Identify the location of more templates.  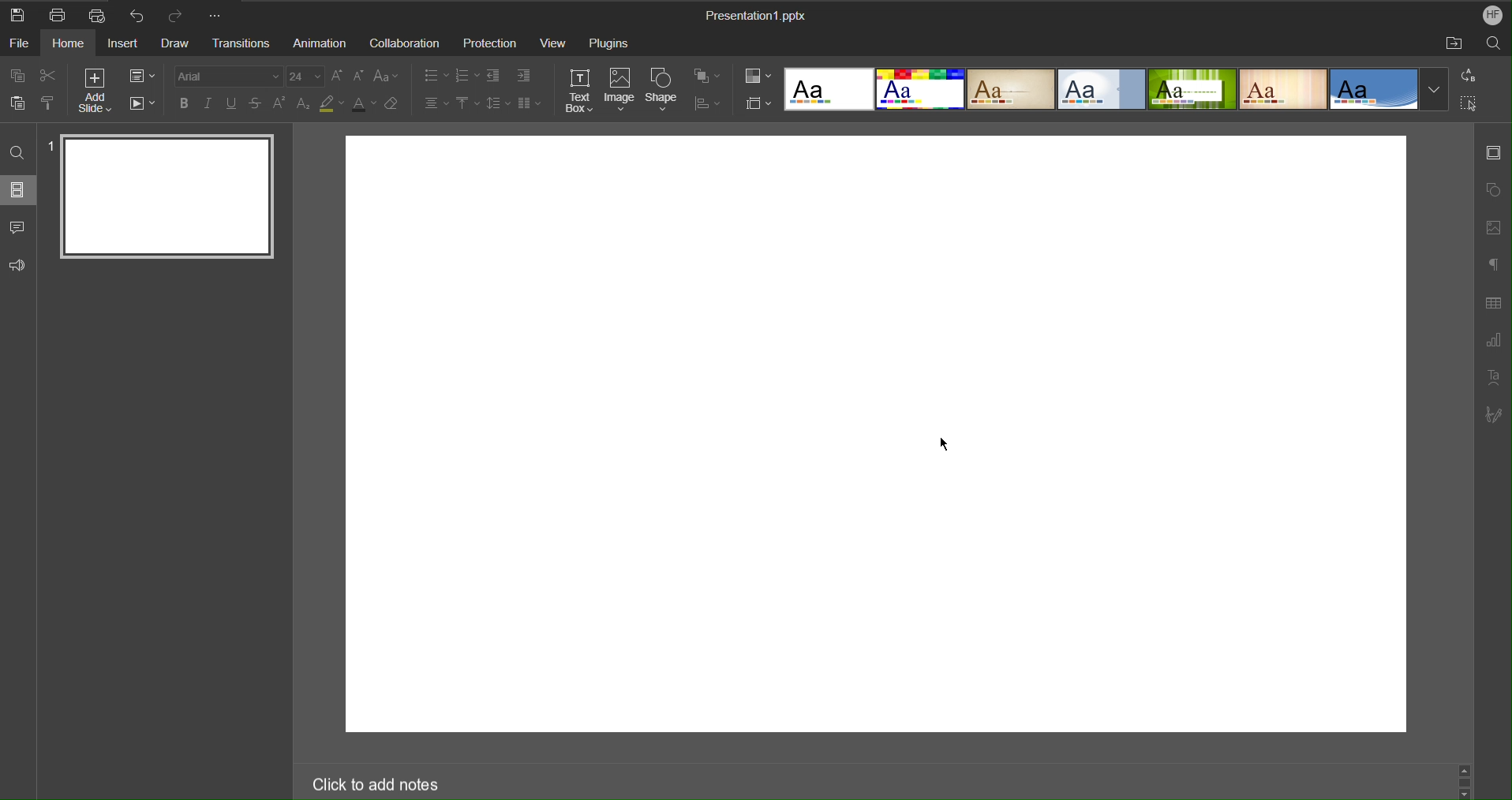
(1435, 91).